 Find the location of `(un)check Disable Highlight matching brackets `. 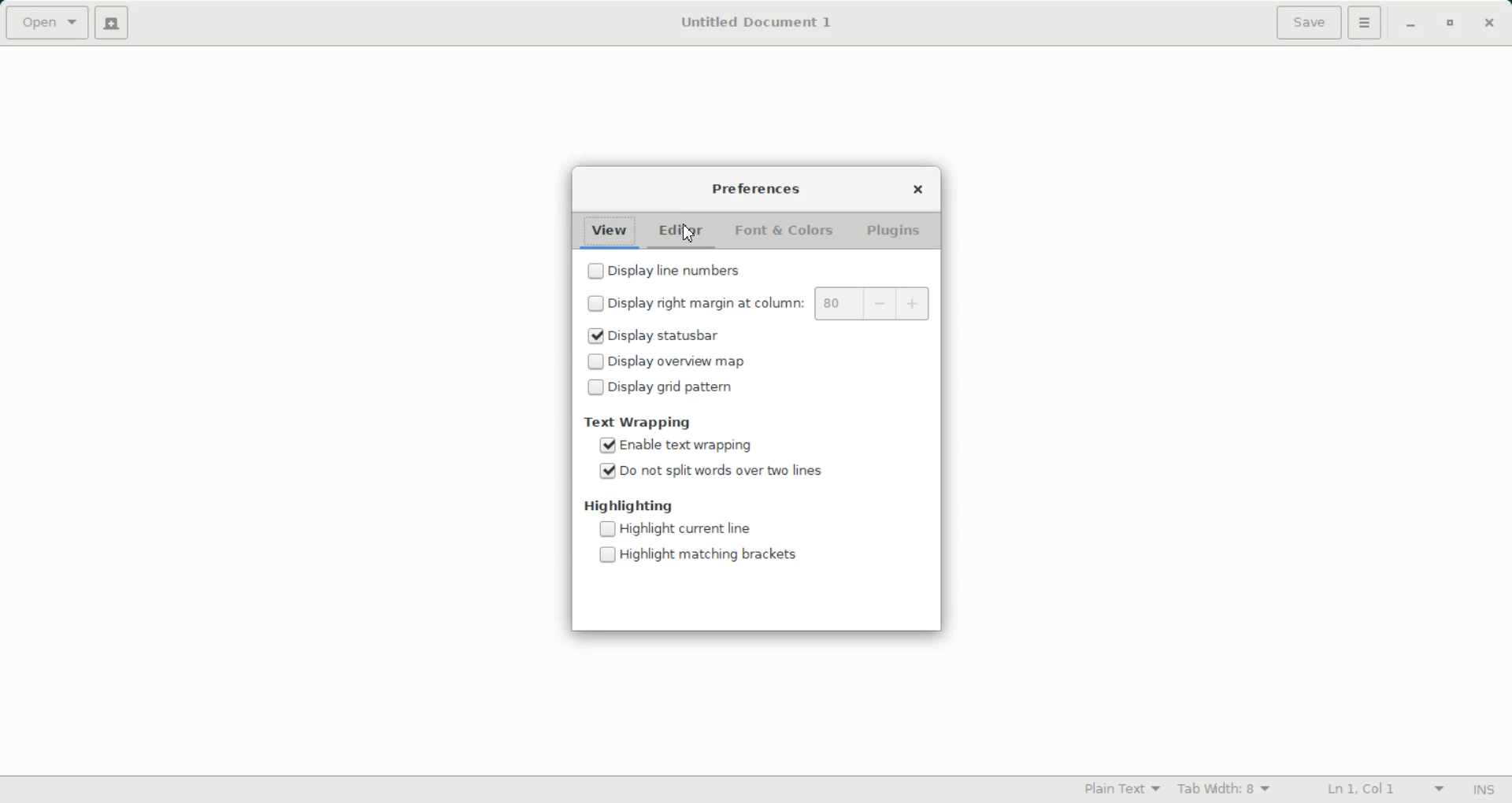

(un)check Disable Highlight matching brackets  is located at coordinates (697, 555).